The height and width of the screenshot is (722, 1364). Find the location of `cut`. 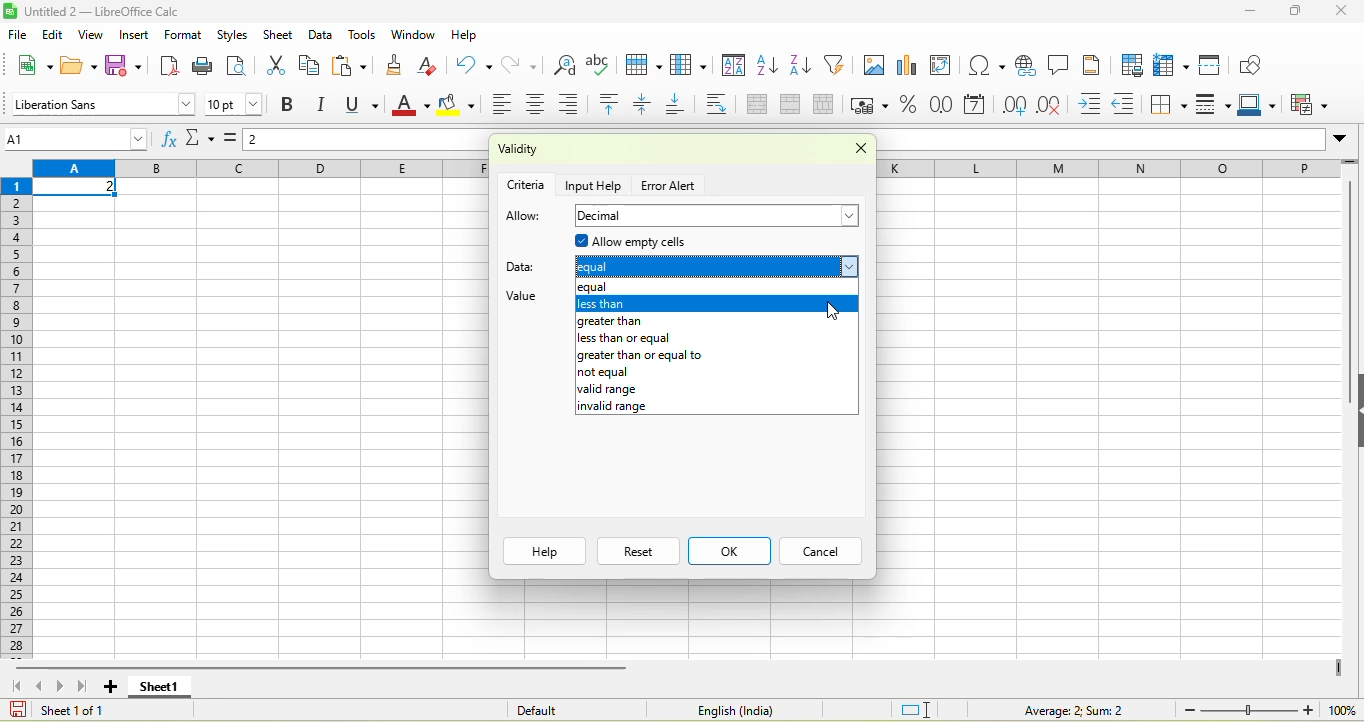

cut is located at coordinates (273, 67).